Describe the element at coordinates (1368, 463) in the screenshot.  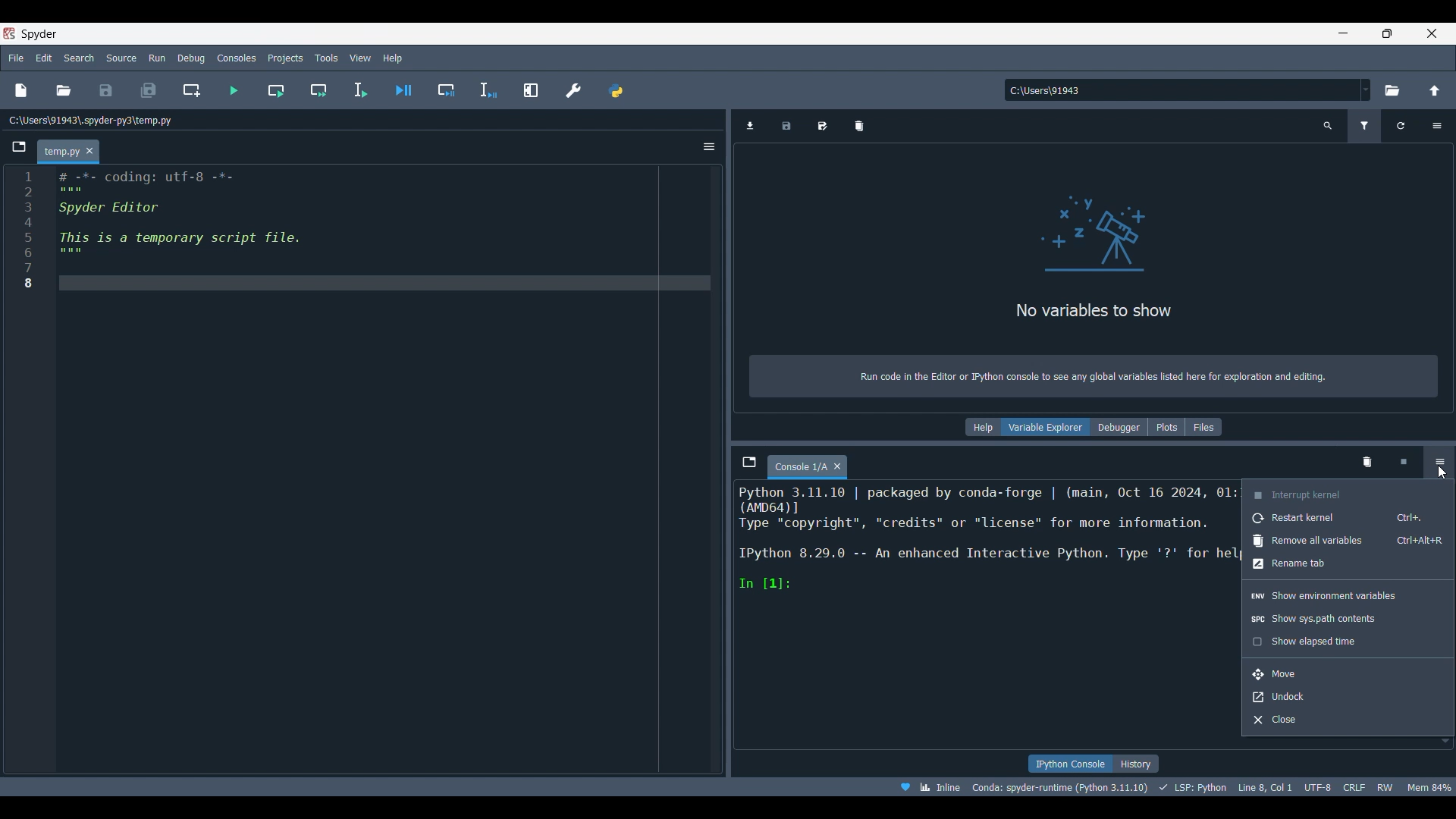
I see `Remove all variables from namespace` at that location.